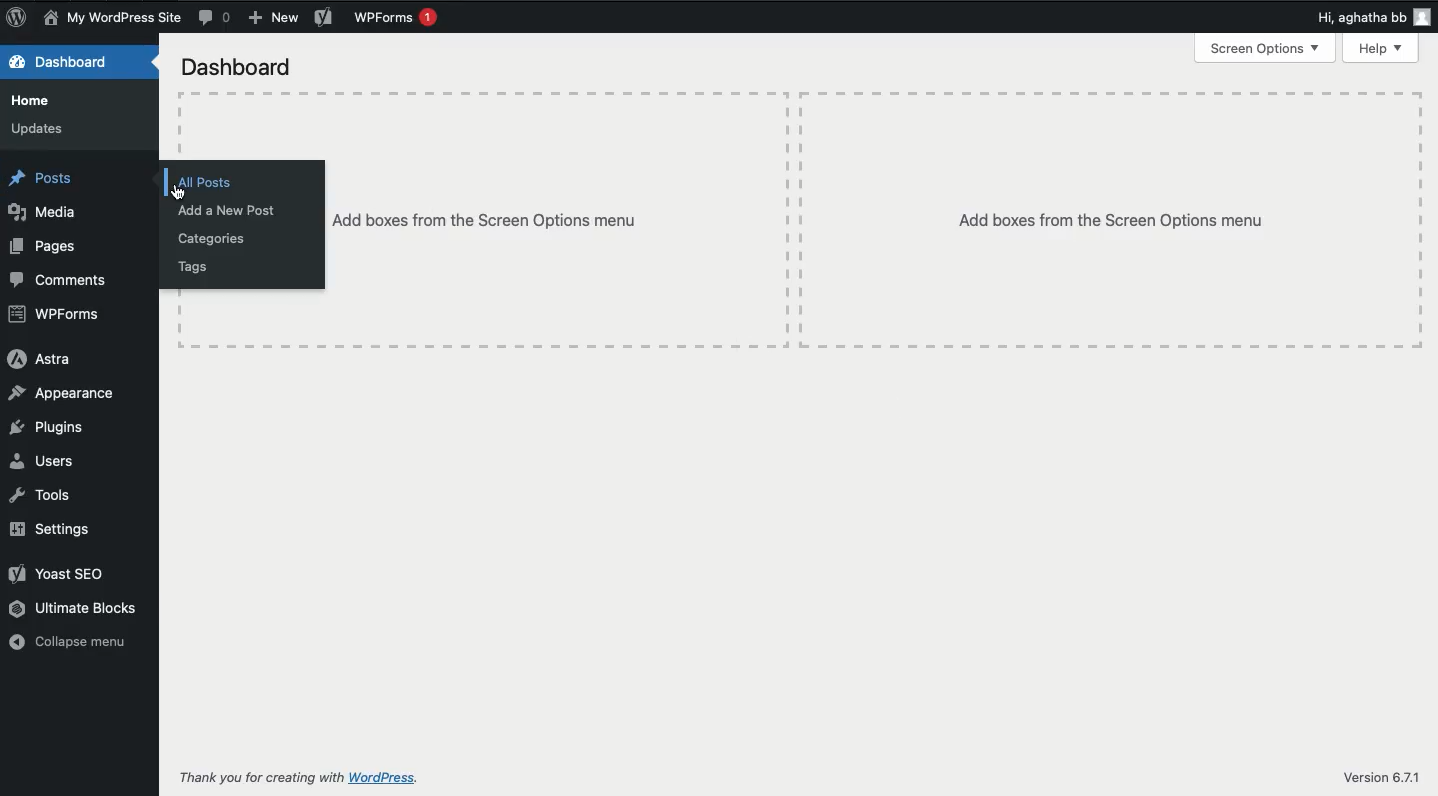 The width and height of the screenshot is (1438, 796). Describe the element at coordinates (45, 214) in the screenshot. I see `Media` at that location.